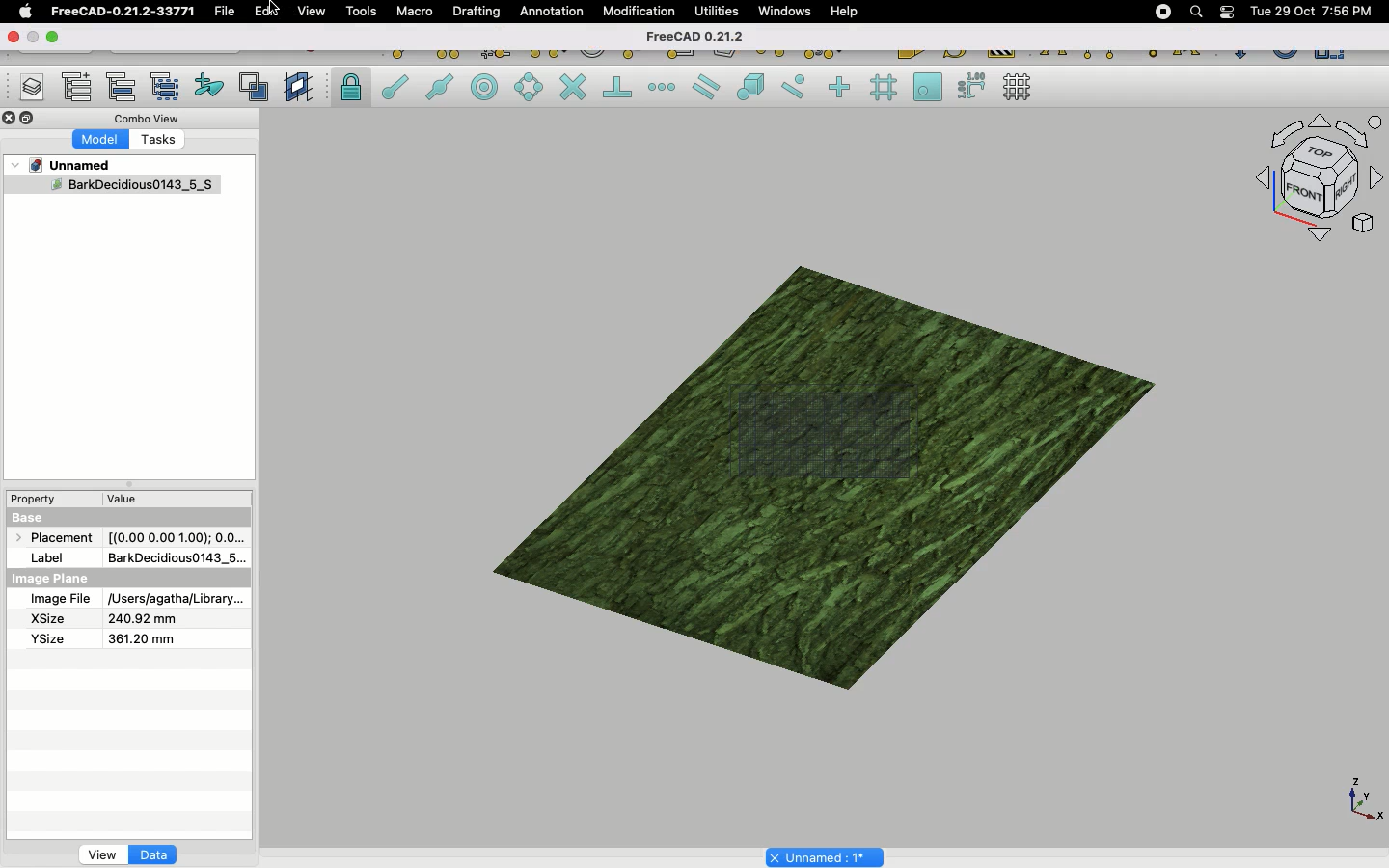 Image resolution: width=1389 pixels, height=868 pixels. I want to click on Snap endpoint, so click(395, 90).